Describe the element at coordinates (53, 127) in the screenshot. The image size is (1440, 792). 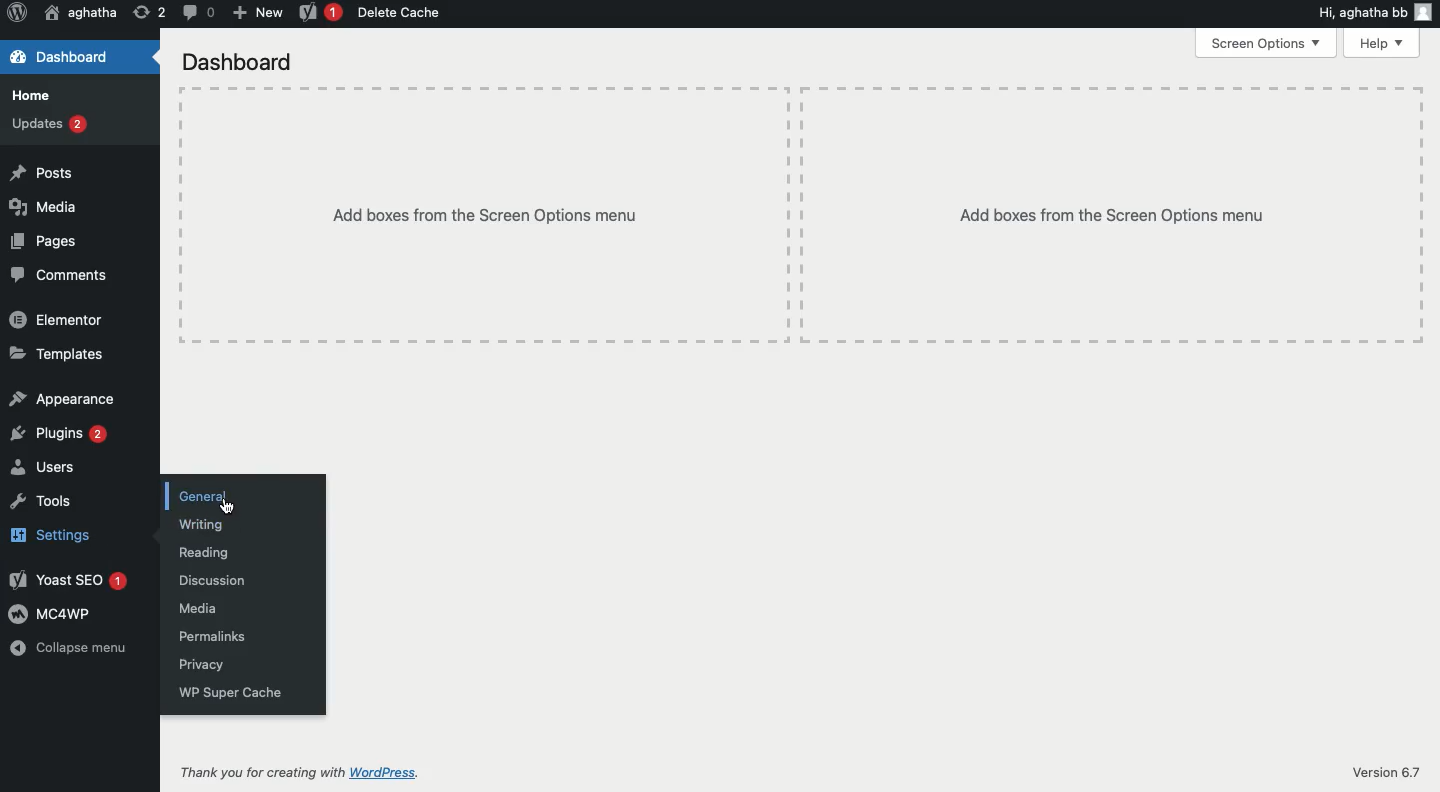
I see `Updates` at that location.